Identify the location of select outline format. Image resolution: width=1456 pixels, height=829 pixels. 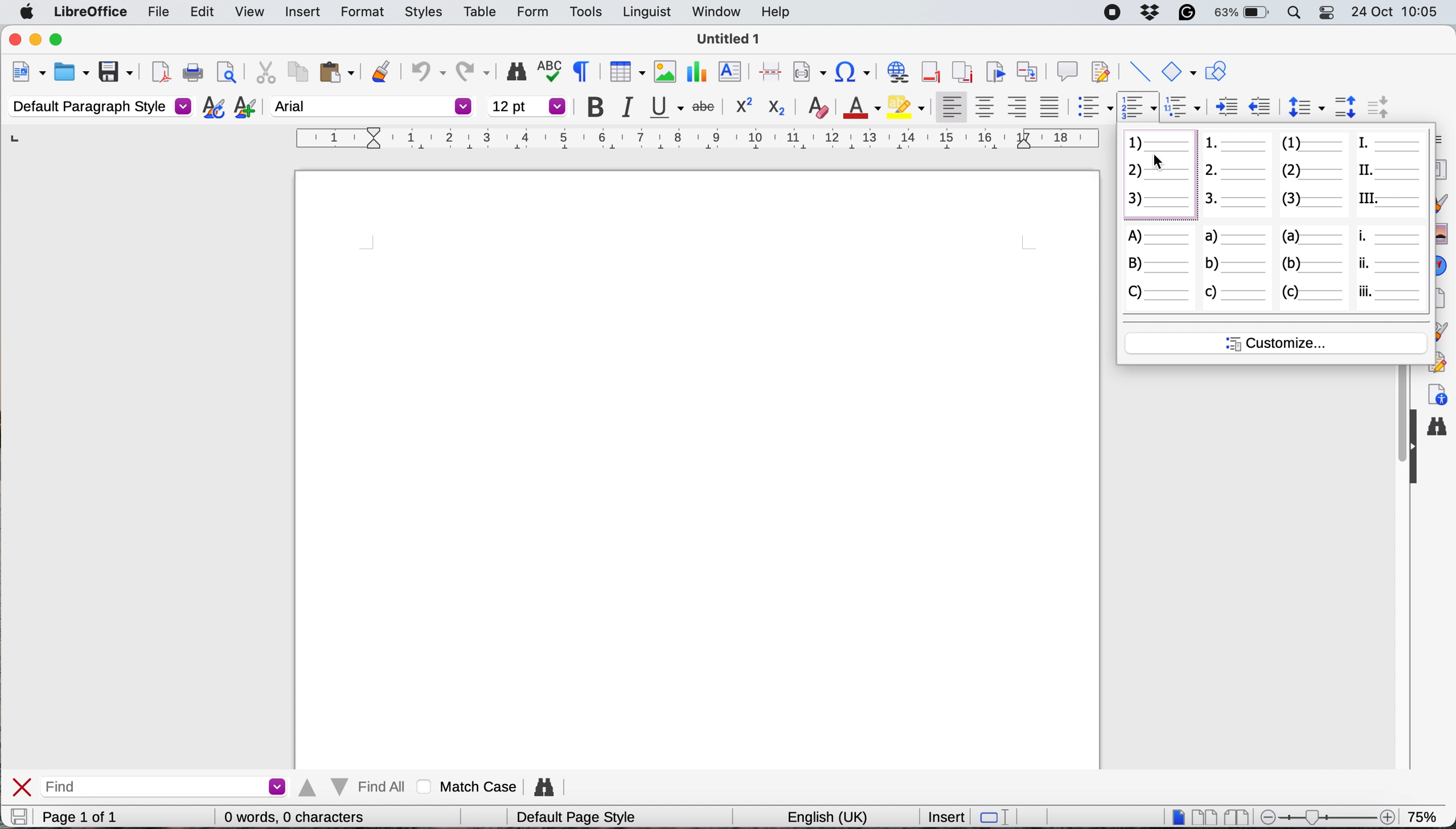
(1187, 106).